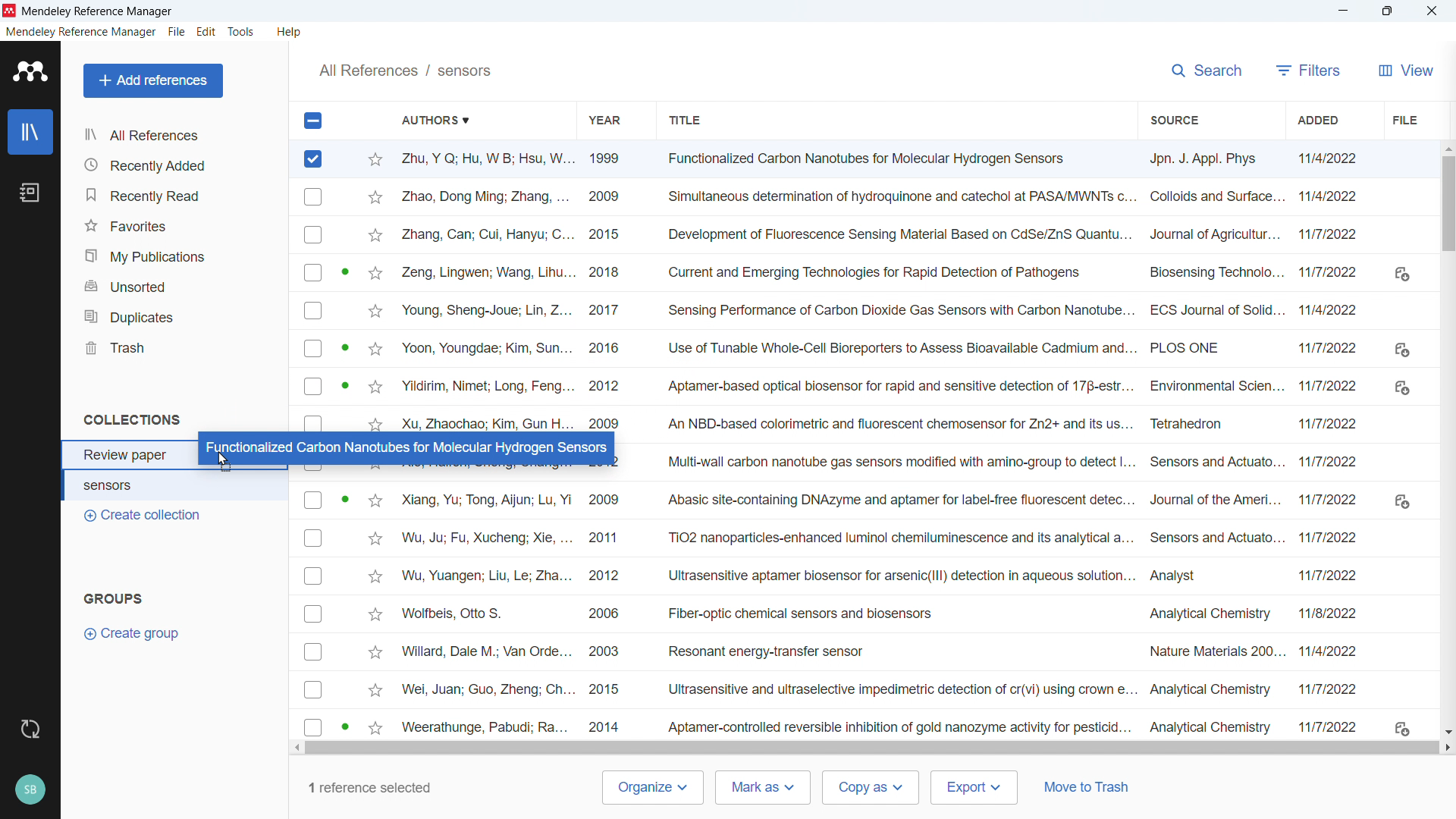  Describe the element at coordinates (896, 444) in the screenshot. I see `Title of individual entries ` at that location.